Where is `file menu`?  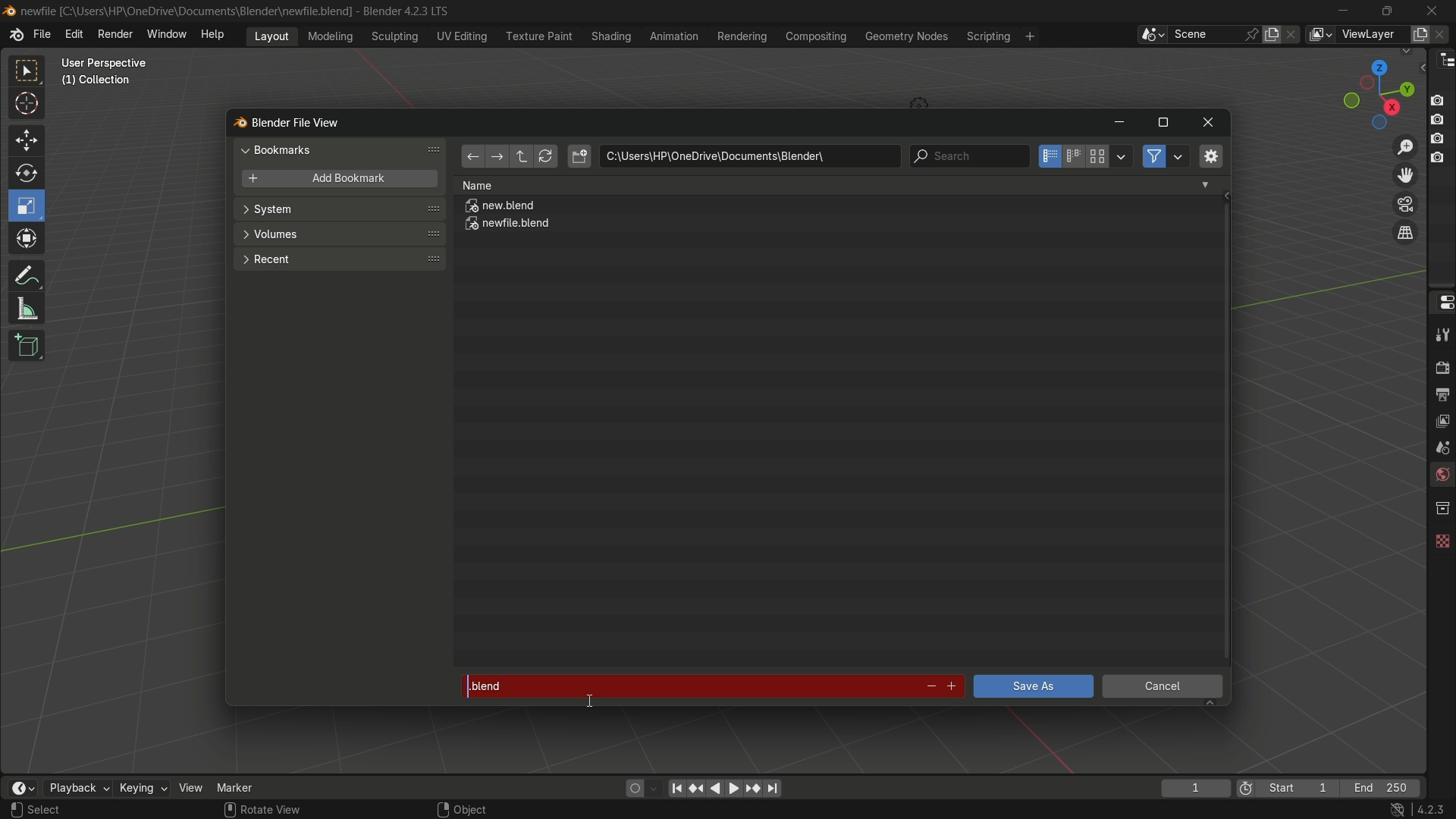 file menu is located at coordinates (42, 35).